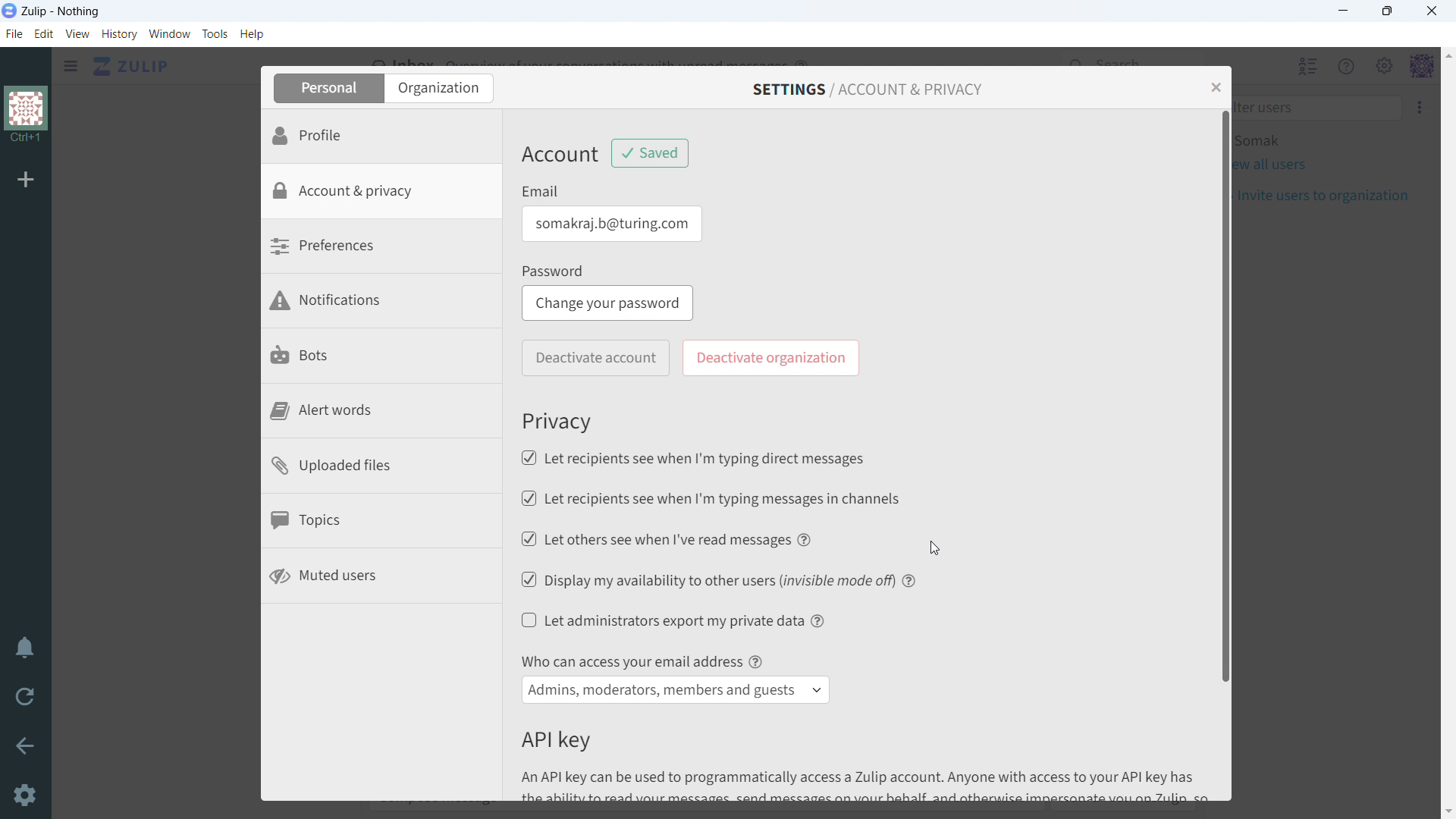 The image size is (1456, 819). What do you see at coordinates (43, 34) in the screenshot?
I see `edit` at bounding box center [43, 34].